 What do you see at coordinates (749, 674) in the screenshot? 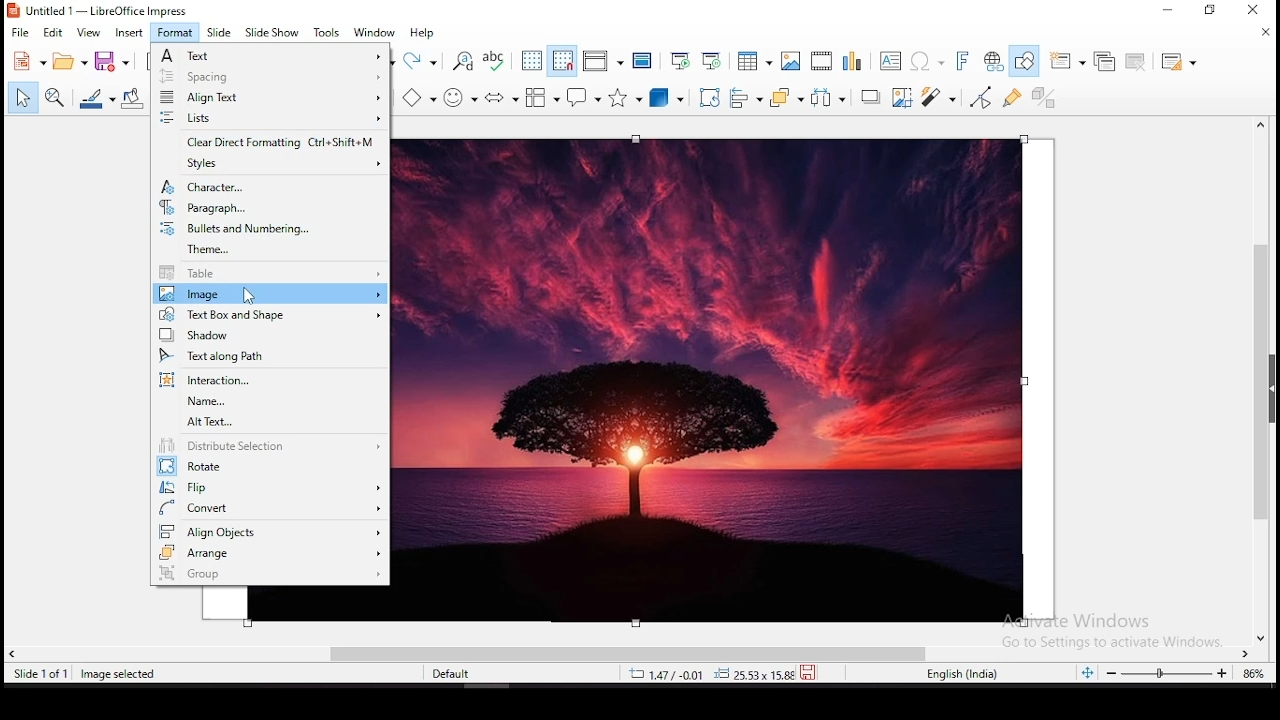
I see `0.00x0.00` at bounding box center [749, 674].